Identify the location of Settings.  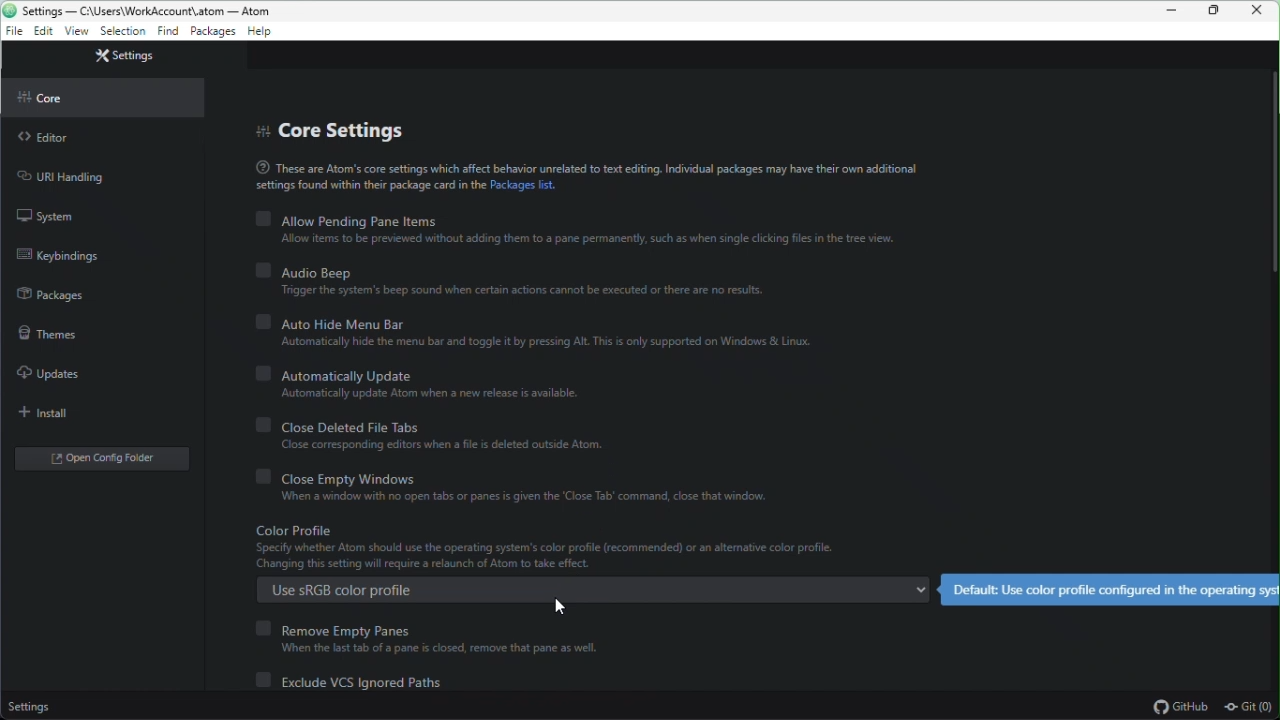
(127, 55).